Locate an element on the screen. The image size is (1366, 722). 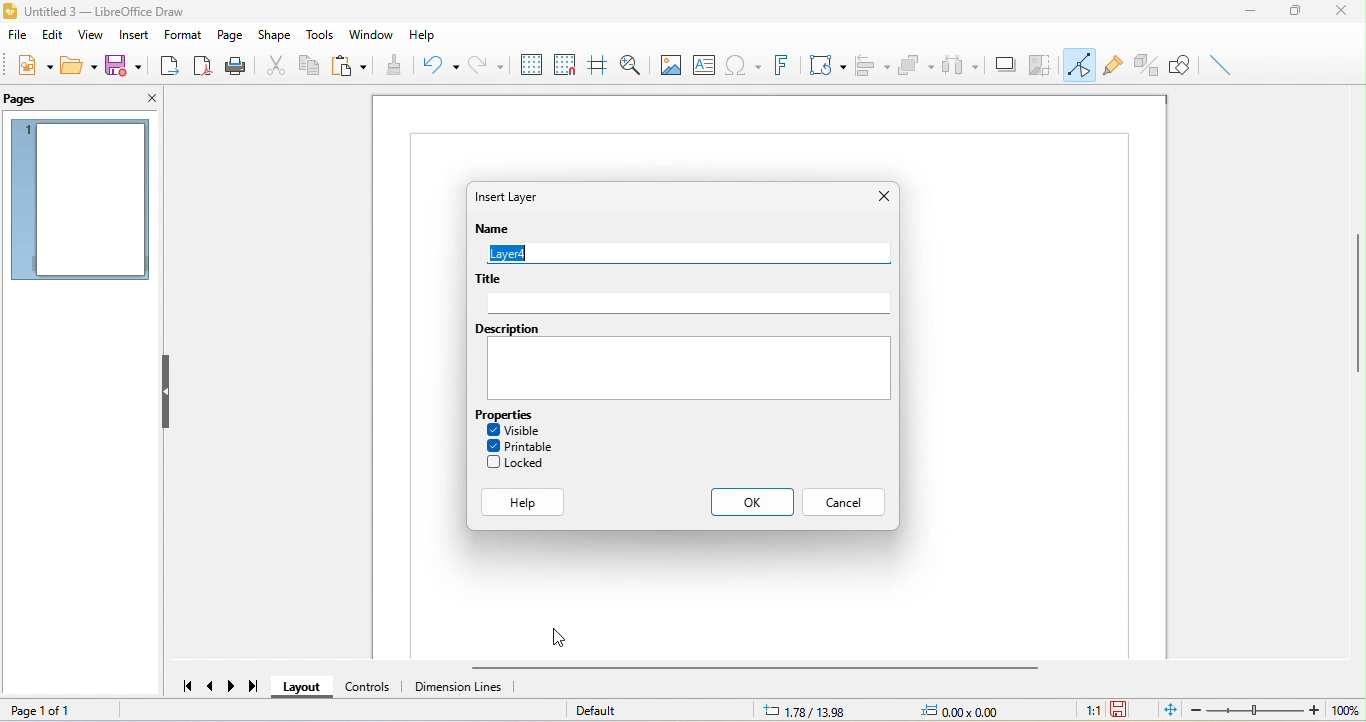
insert is located at coordinates (131, 36).